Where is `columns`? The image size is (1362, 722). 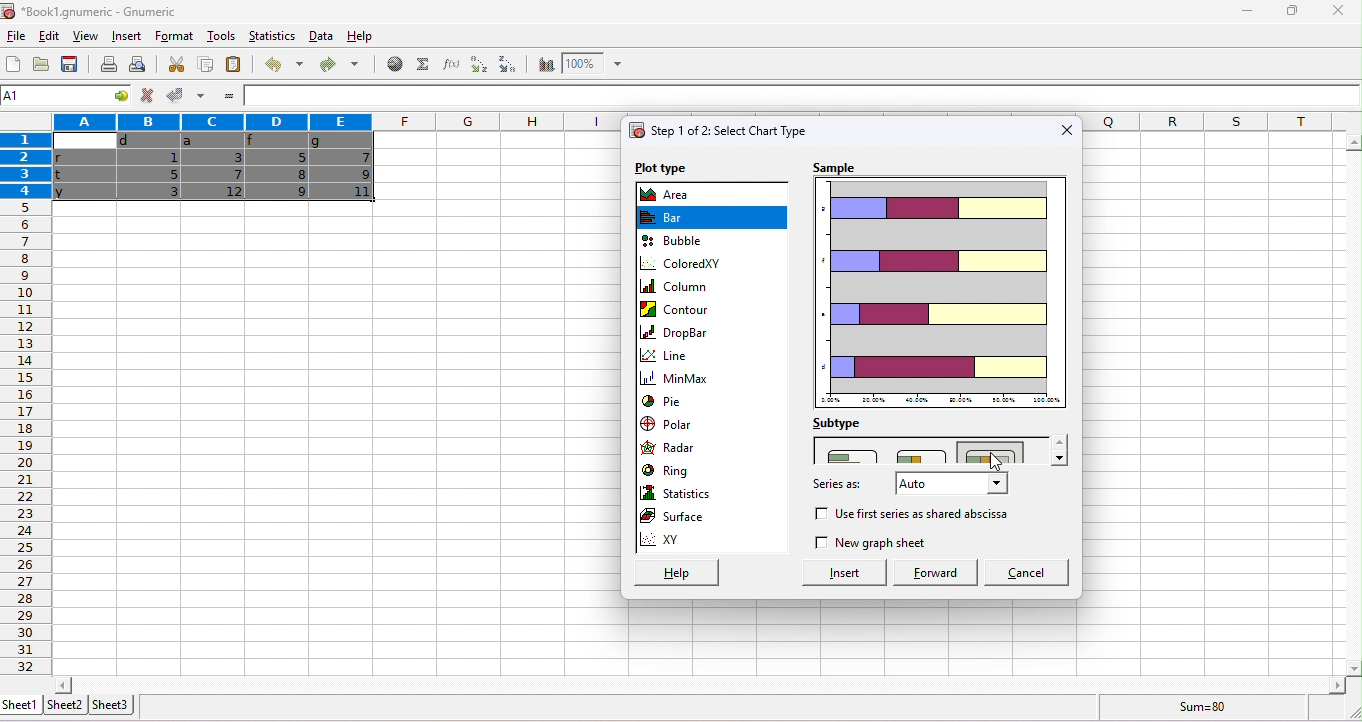 columns is located at coordinates (336, 123).